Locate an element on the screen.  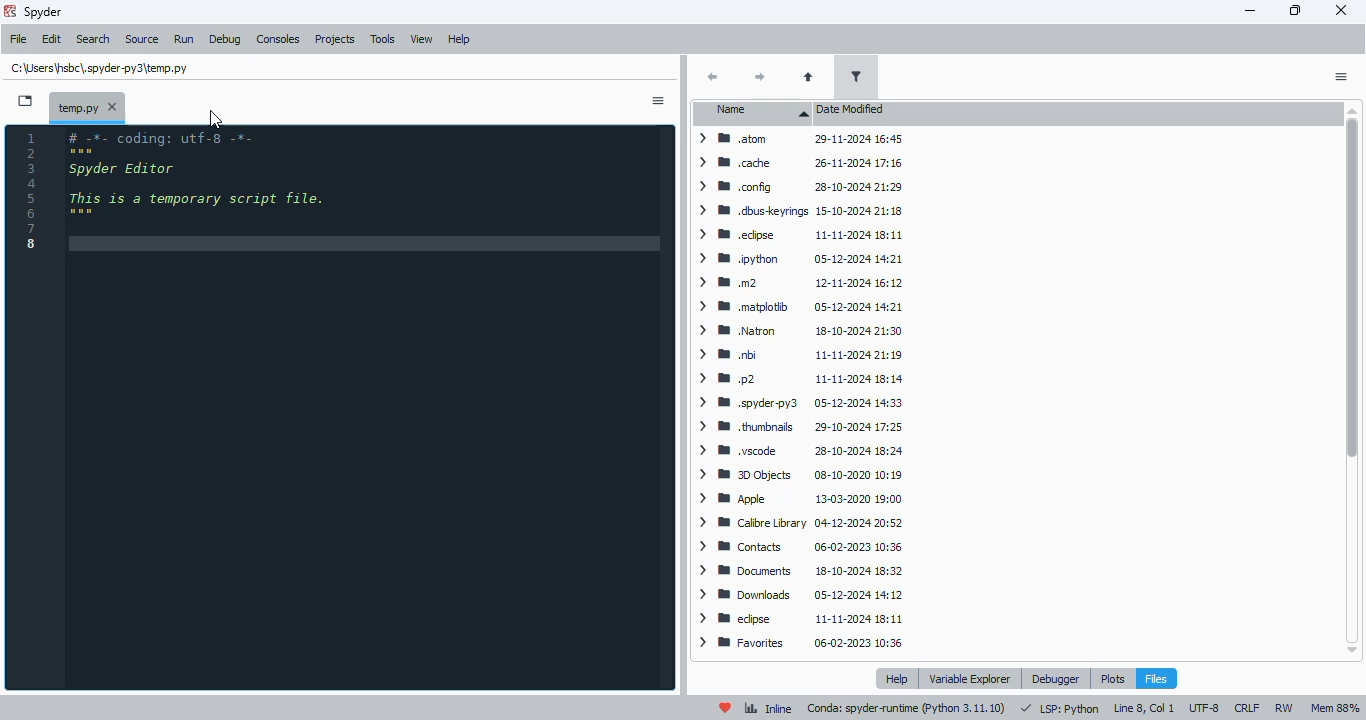
> BB .dbuskevrings 15-10-2024 21:18 is located at coordinates (797, 209).